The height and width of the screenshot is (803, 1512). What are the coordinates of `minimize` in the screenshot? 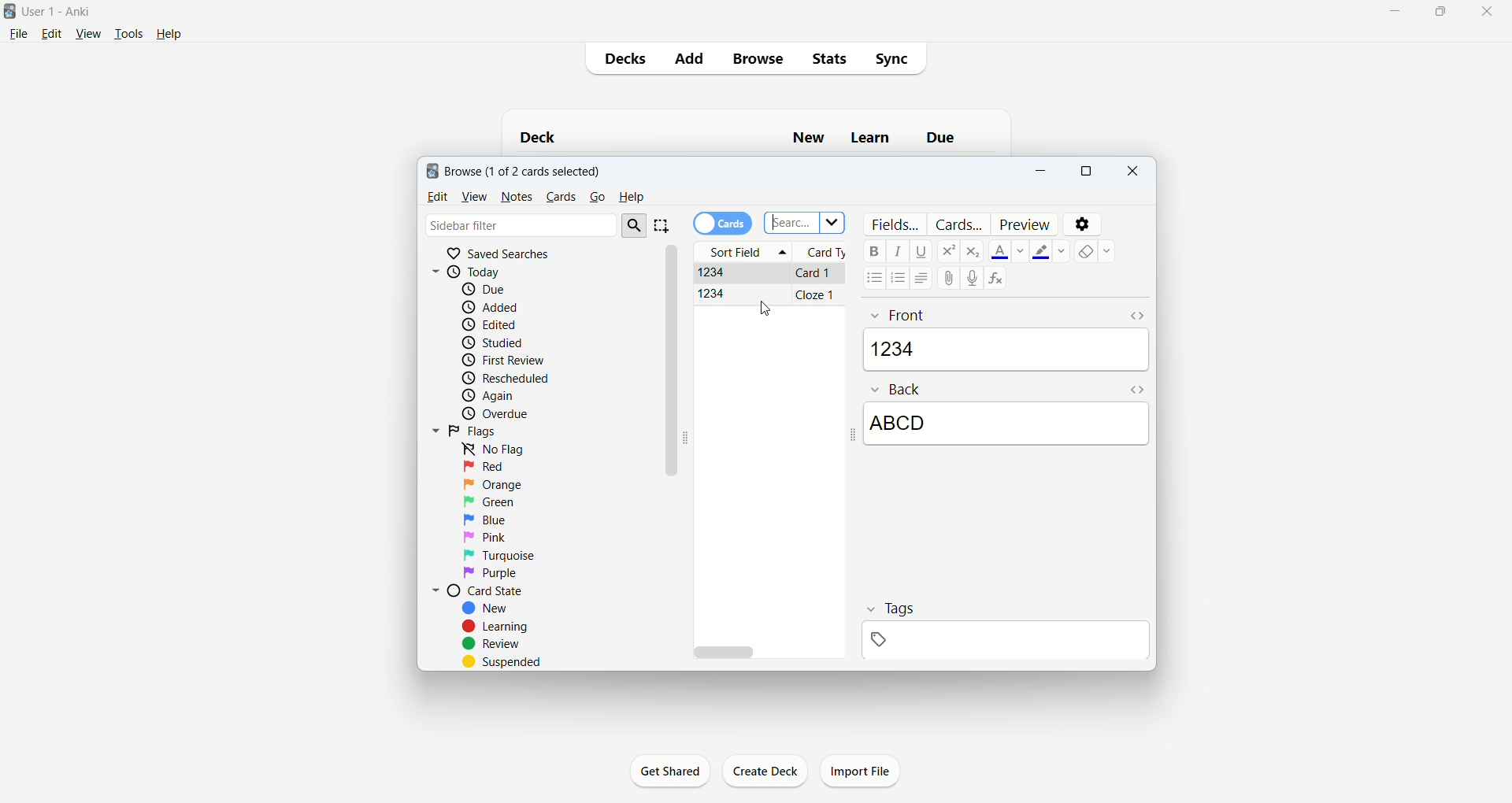 It's located at (1043, 175).